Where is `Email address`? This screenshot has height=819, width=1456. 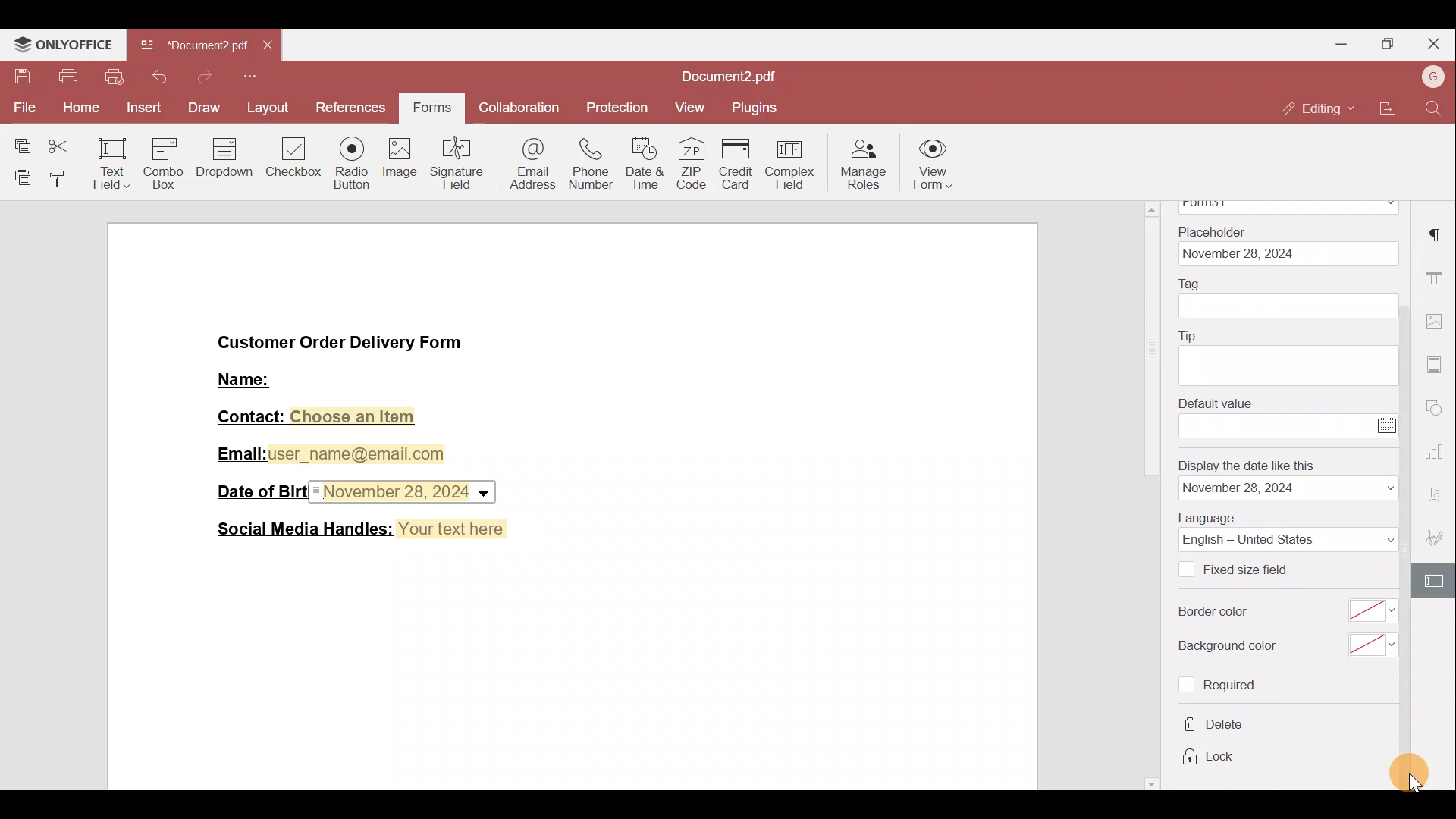
Email address is located at coordinates (531, 162).